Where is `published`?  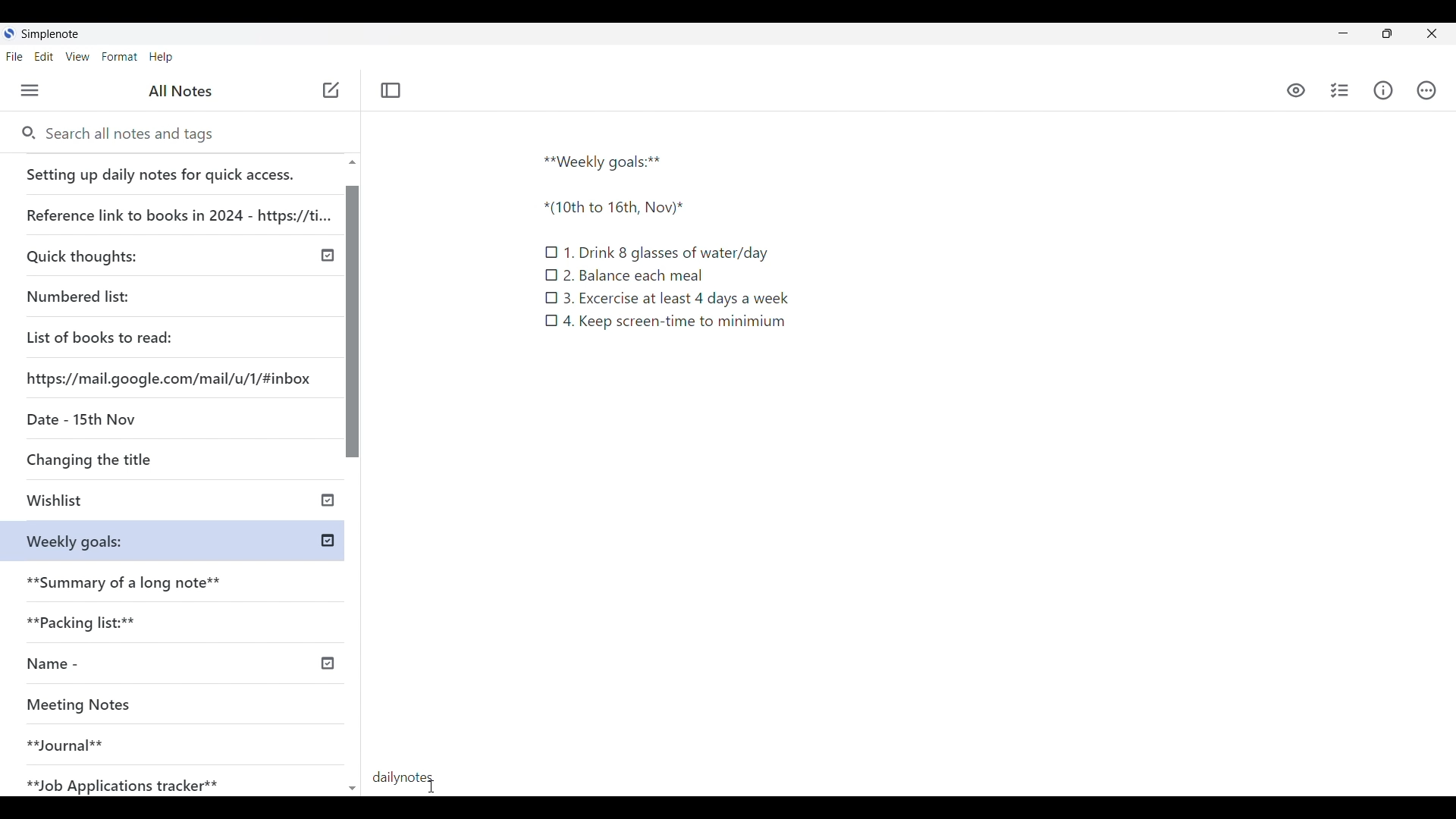 published is located at coordinates (328, 256).